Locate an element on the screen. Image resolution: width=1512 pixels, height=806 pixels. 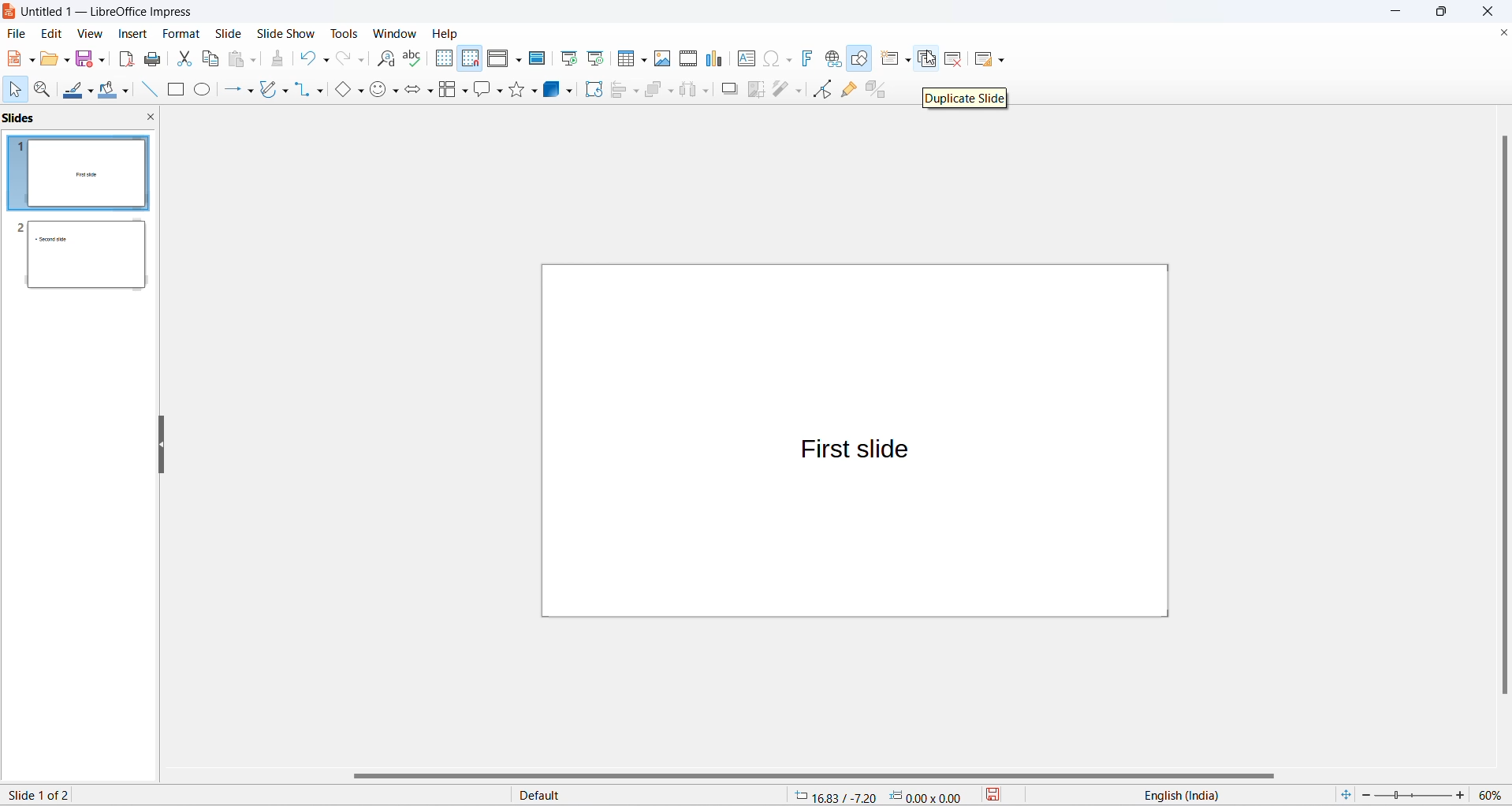
cursor is located at coordinates (929, 57).